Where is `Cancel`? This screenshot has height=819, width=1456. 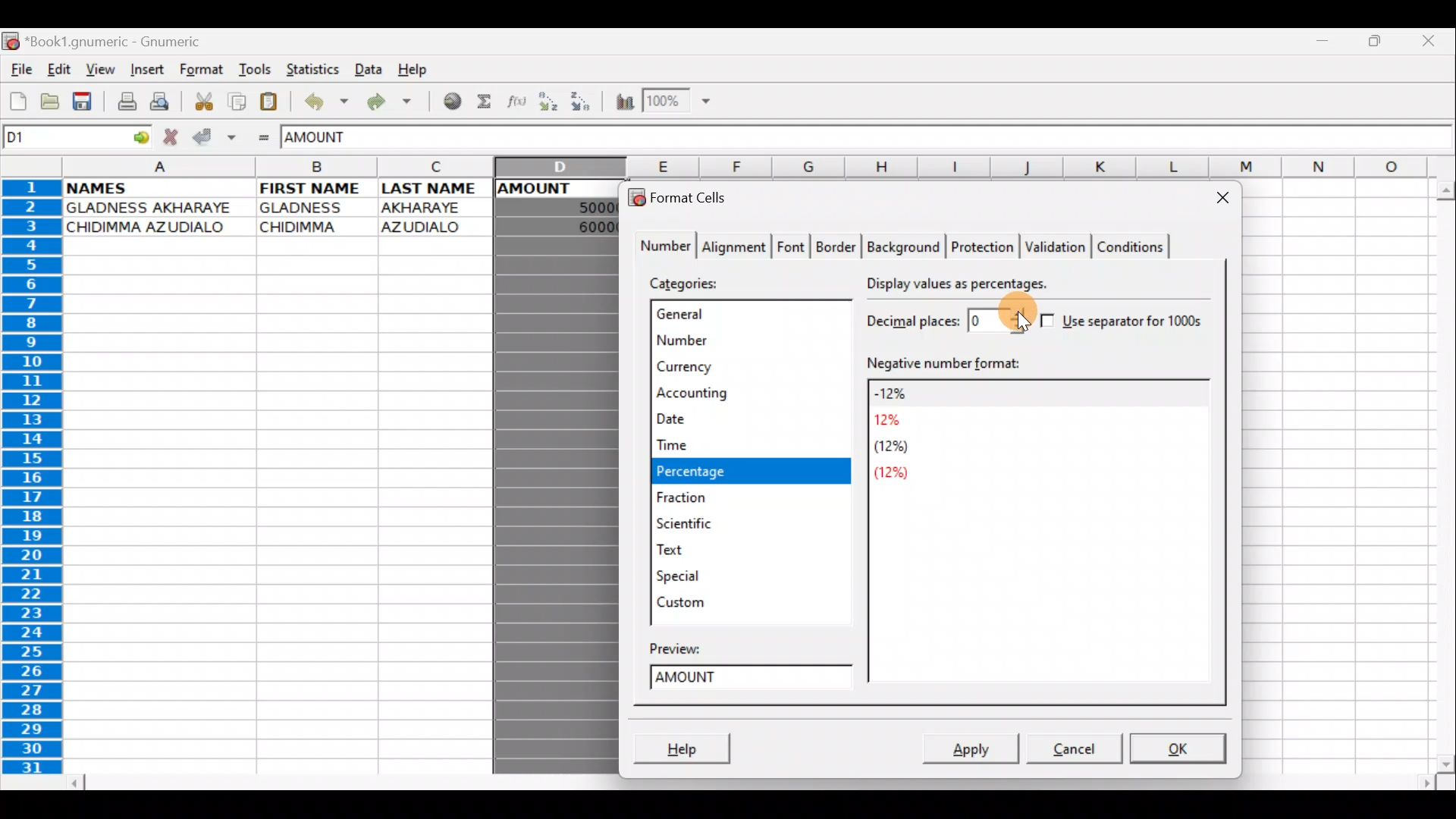
Cancel is located at coordinates (1068, 752).